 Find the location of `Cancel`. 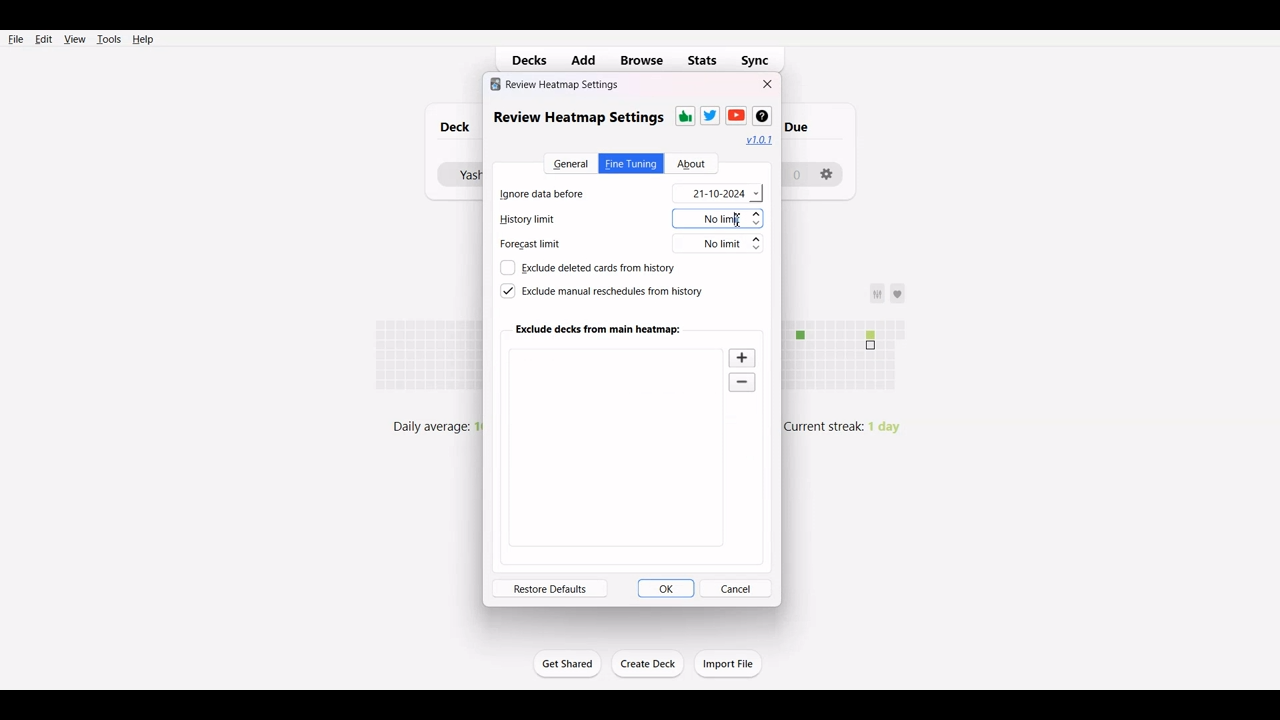

Cancel is located at coordinates (736, 588).